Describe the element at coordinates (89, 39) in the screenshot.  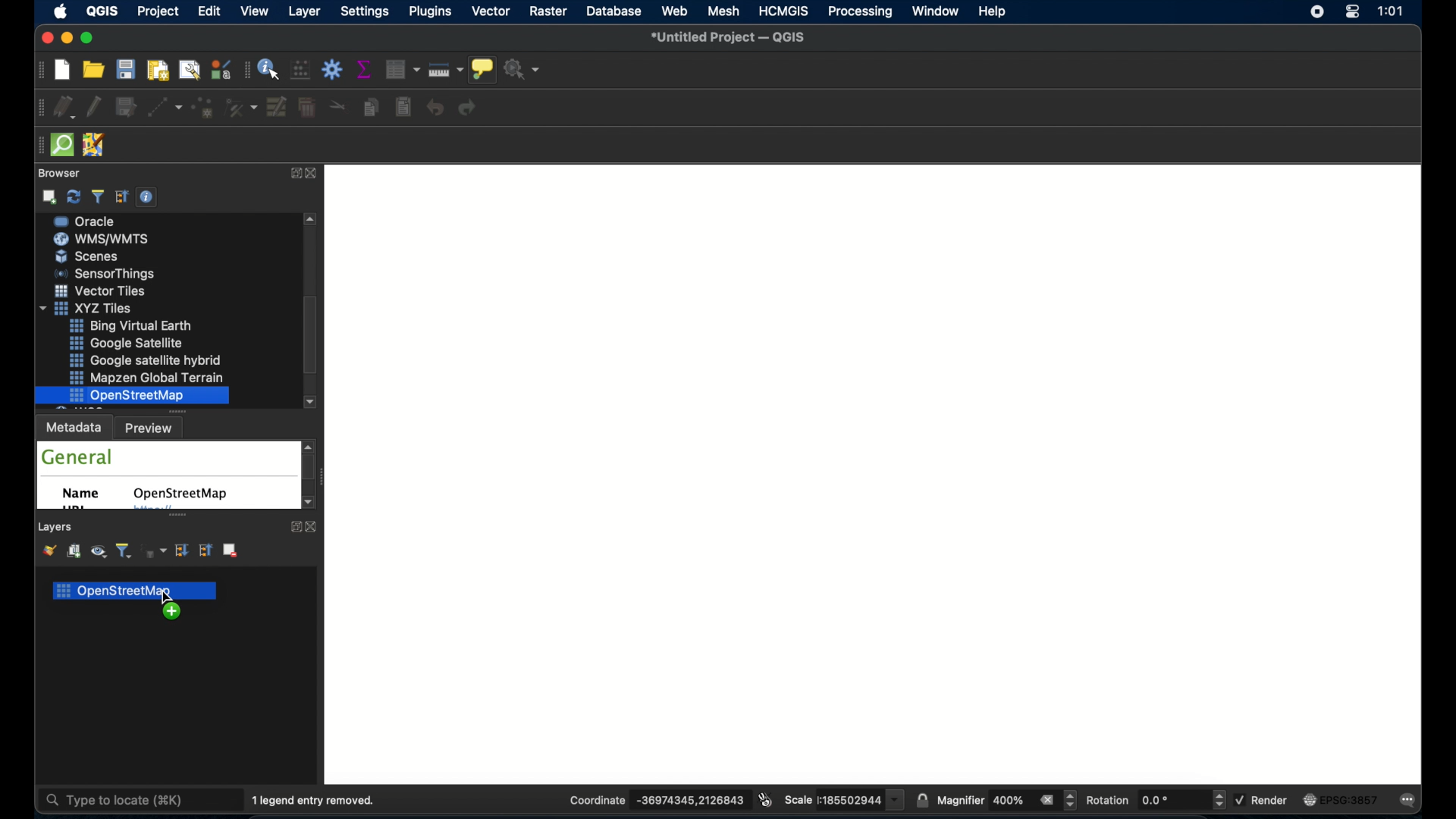
I see `maximize` at that location.